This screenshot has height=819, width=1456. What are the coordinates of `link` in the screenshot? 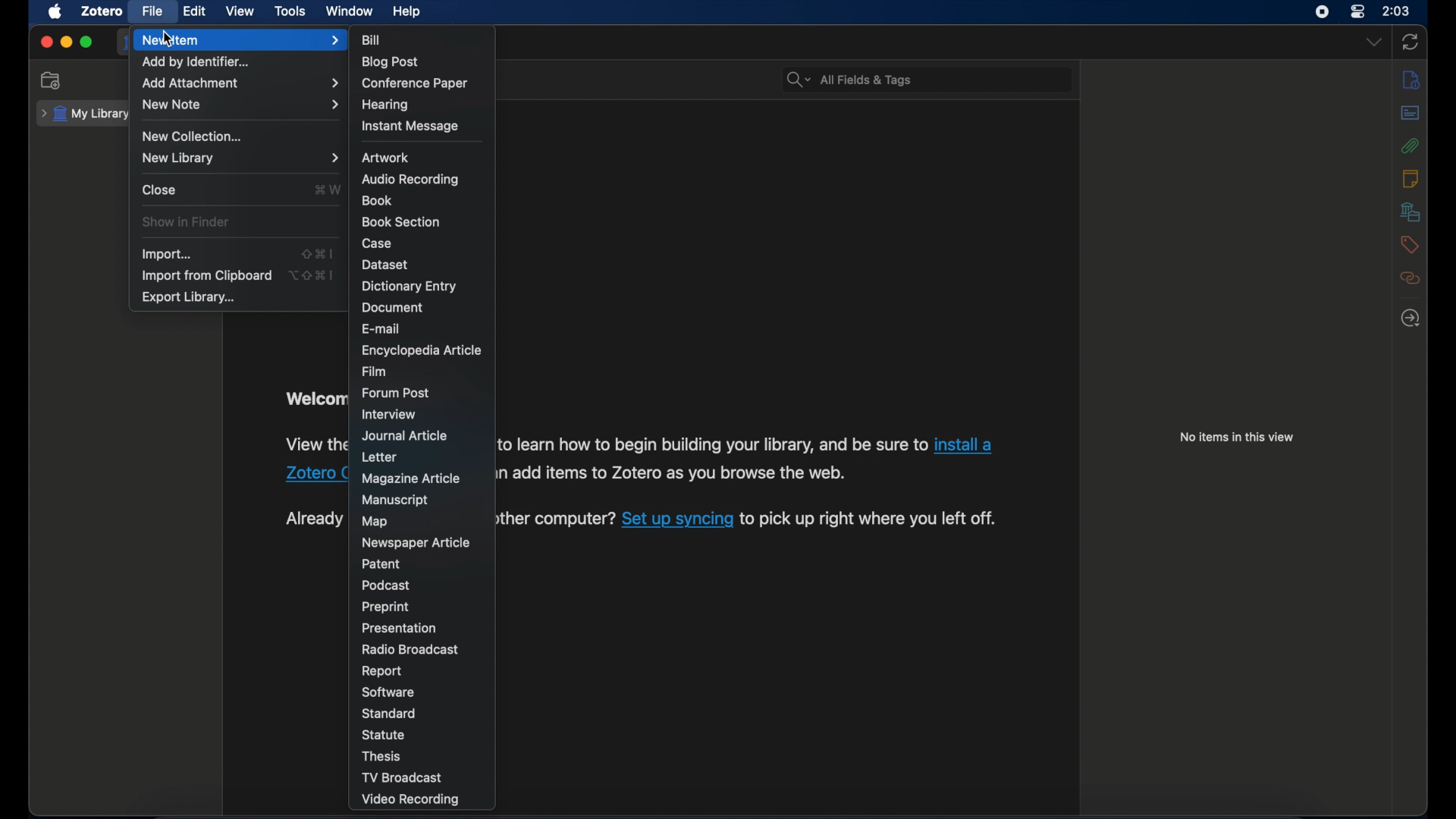 It's located at (967, 444).